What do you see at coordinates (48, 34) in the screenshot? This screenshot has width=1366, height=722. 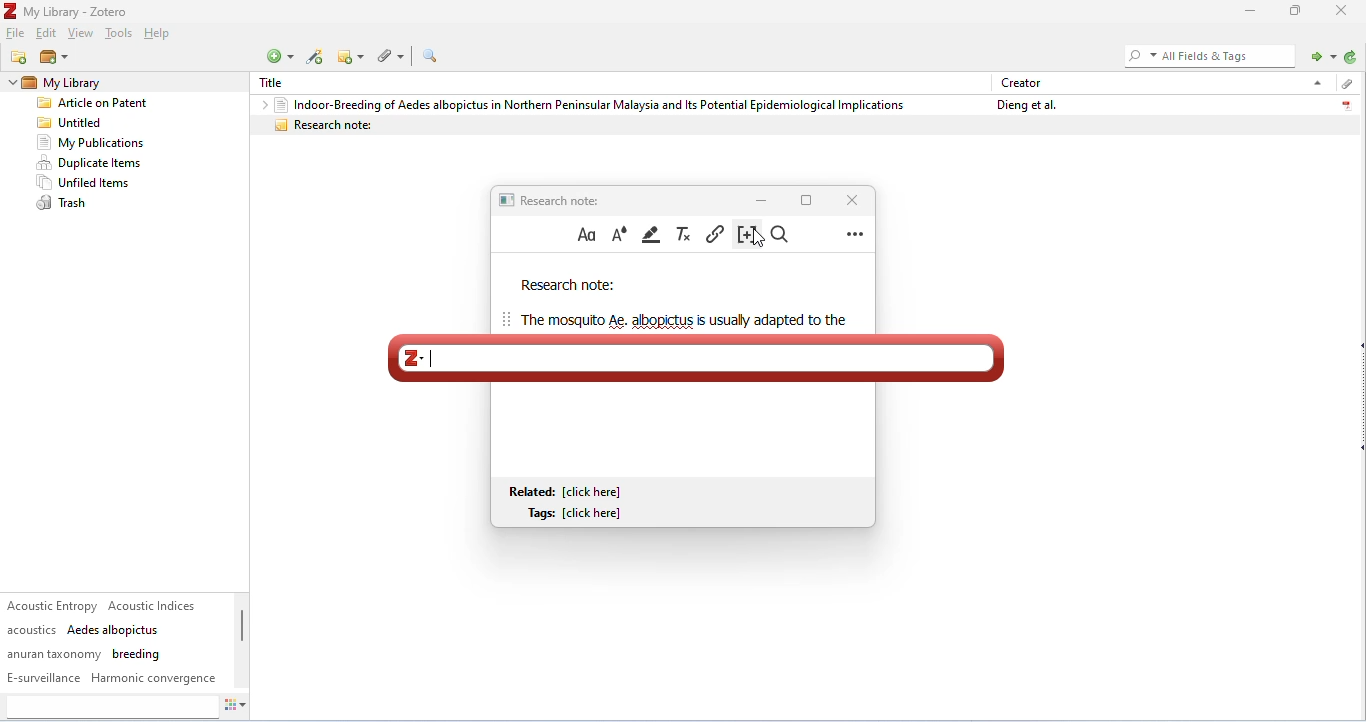 I see `edit` at bounding box center [48, 34].